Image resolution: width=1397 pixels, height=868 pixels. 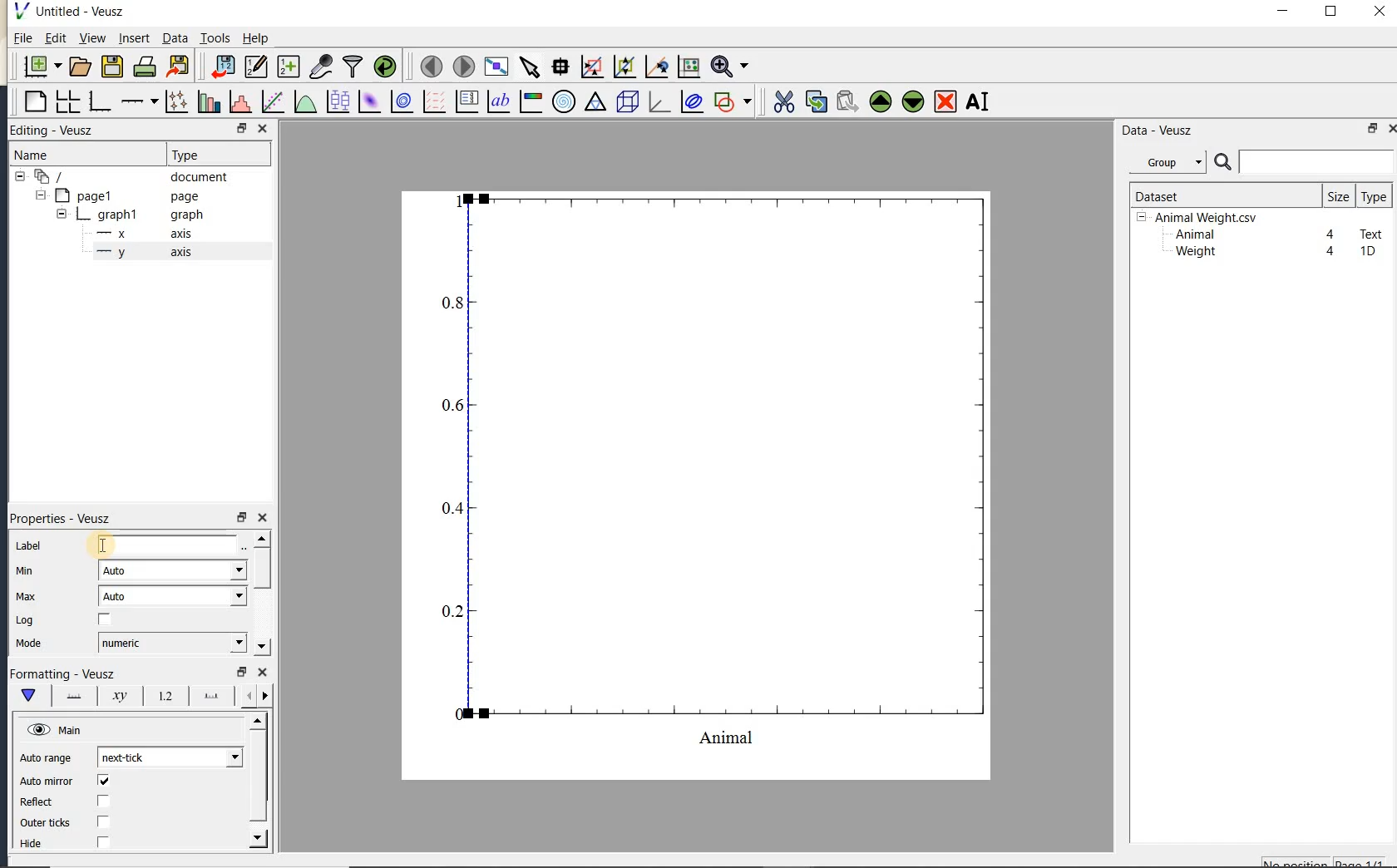 I want to click on 4, so click(x=1331, y=235).